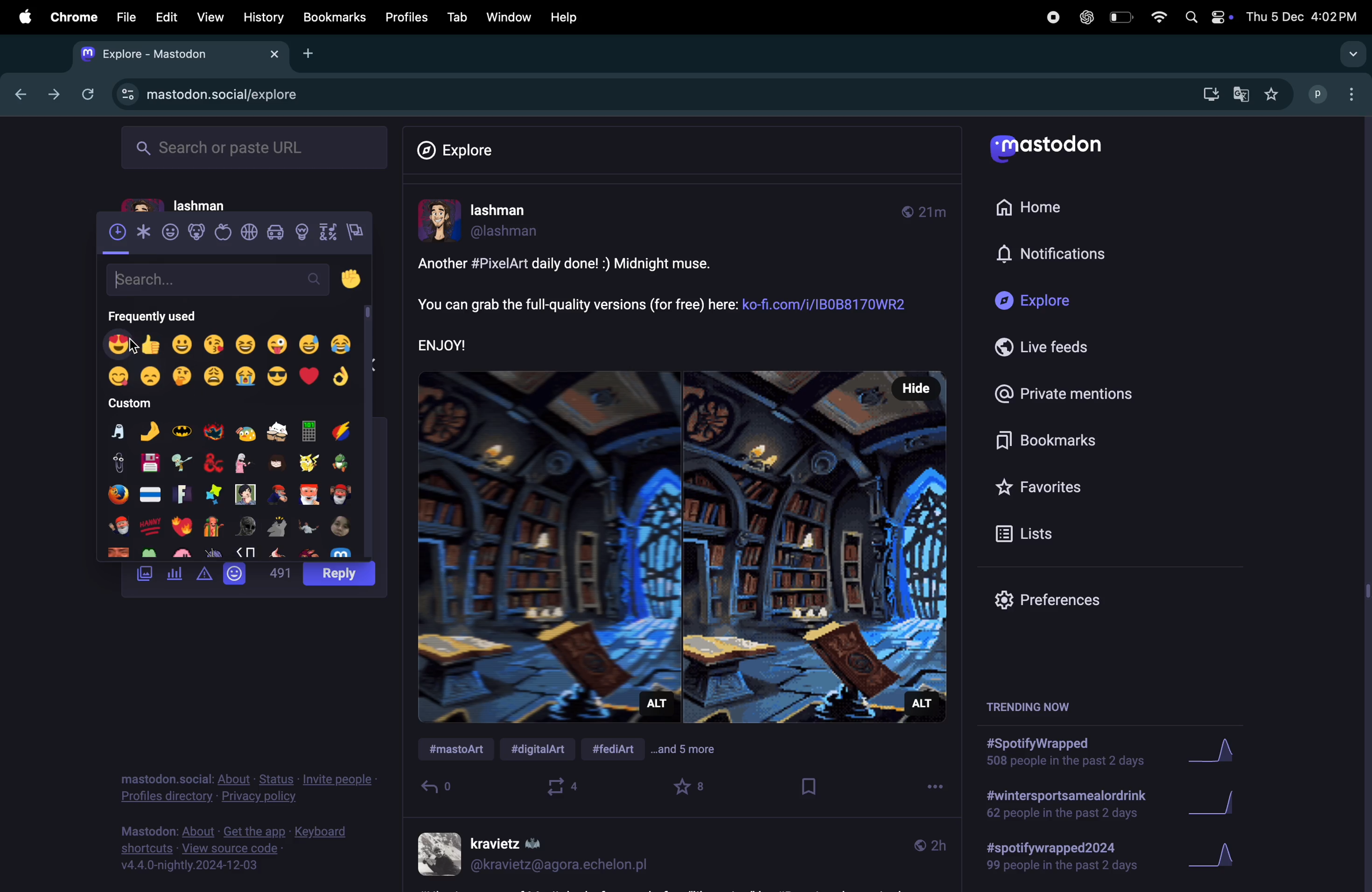 The width and height of the screenshot is (1372, 892). What do you see at coordinates (620, 747) in the screenshot?
I see `# fed art` at bounding box center [620, 747].